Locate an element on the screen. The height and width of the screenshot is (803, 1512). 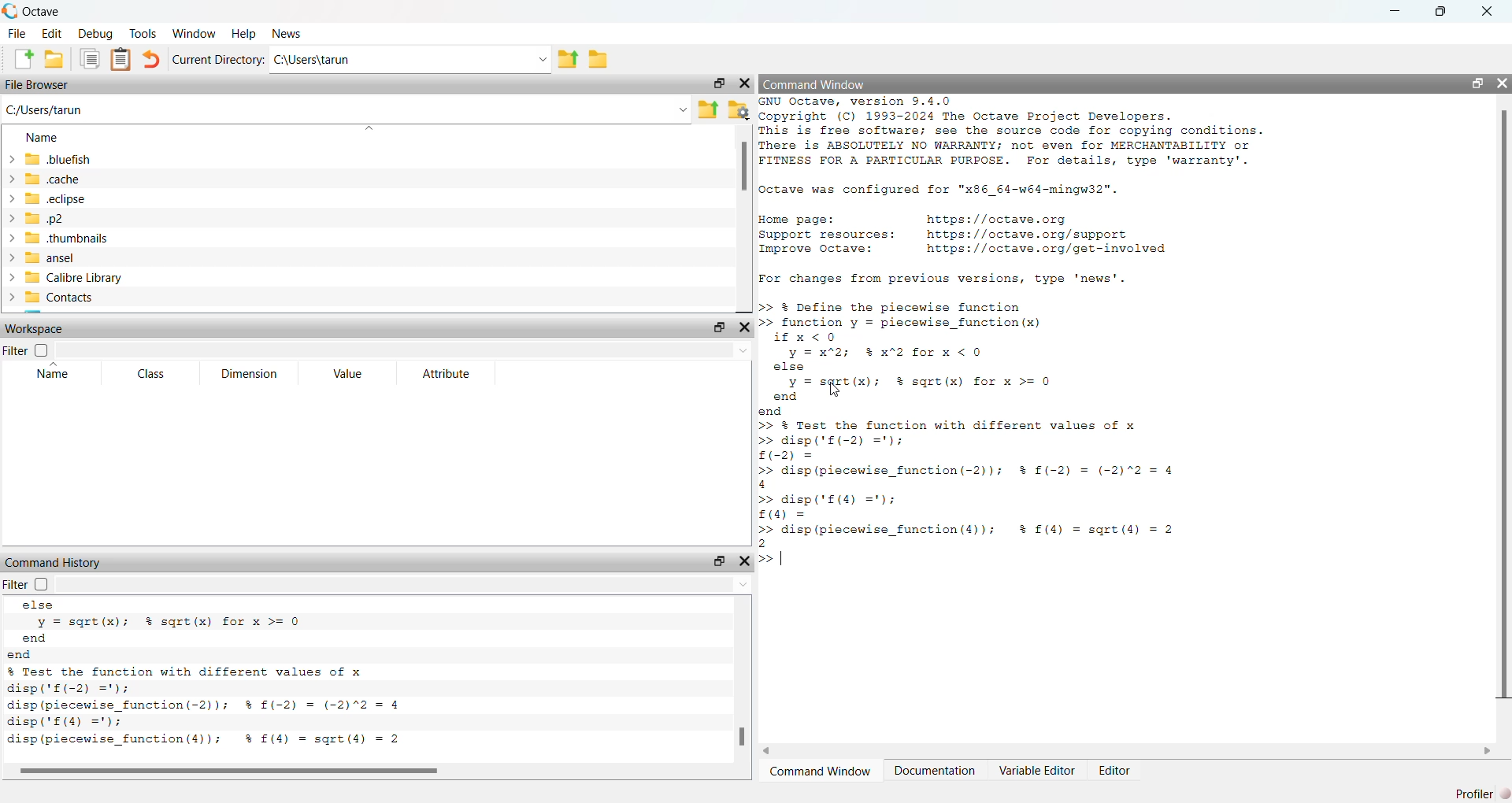
>  ansel is located at coordinates (43, 258).